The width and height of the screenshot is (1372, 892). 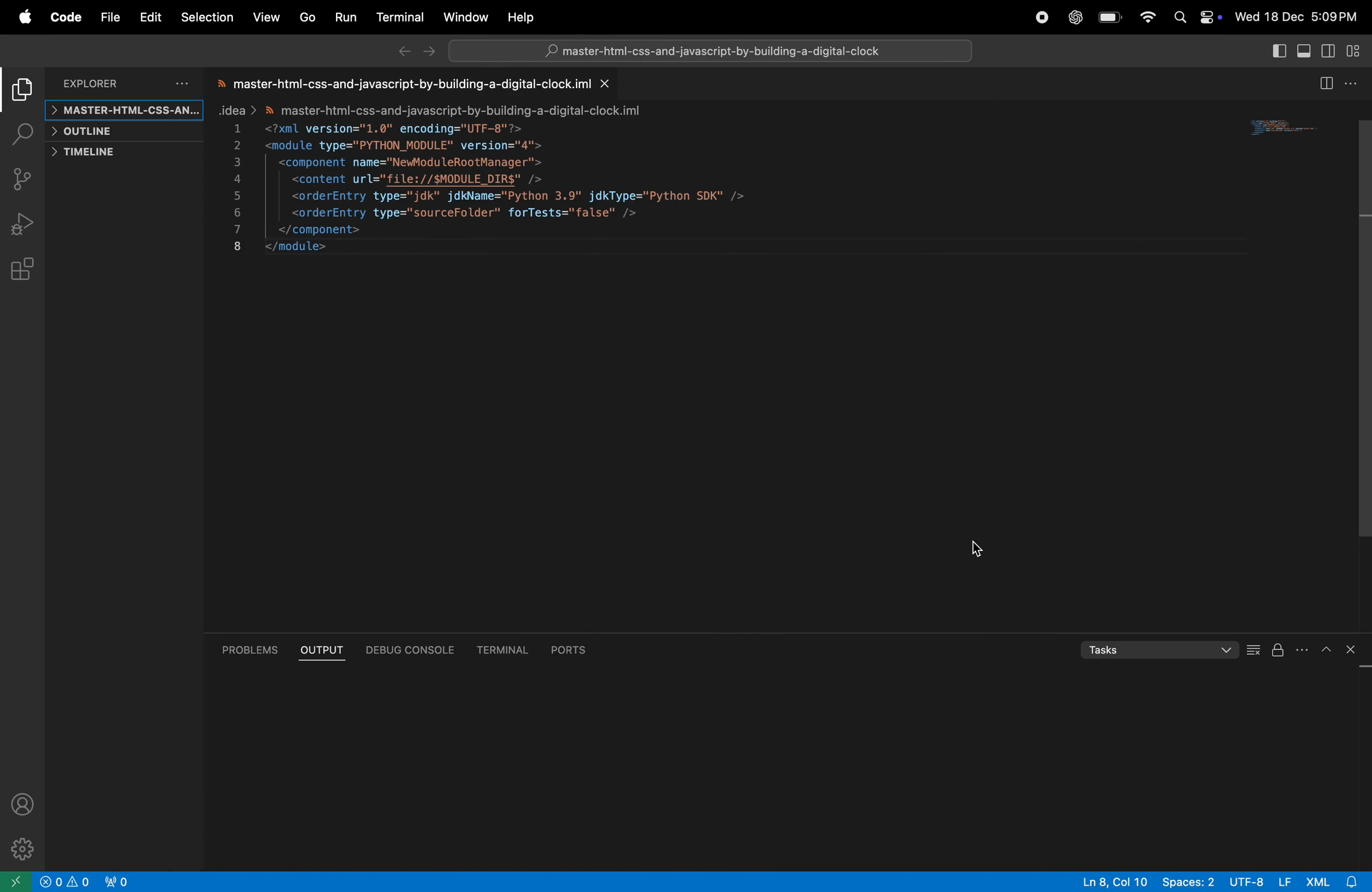 What do you see at coordinates (27, 803) in the screenshot?
I see `profile` at bounding box center [27, 803].